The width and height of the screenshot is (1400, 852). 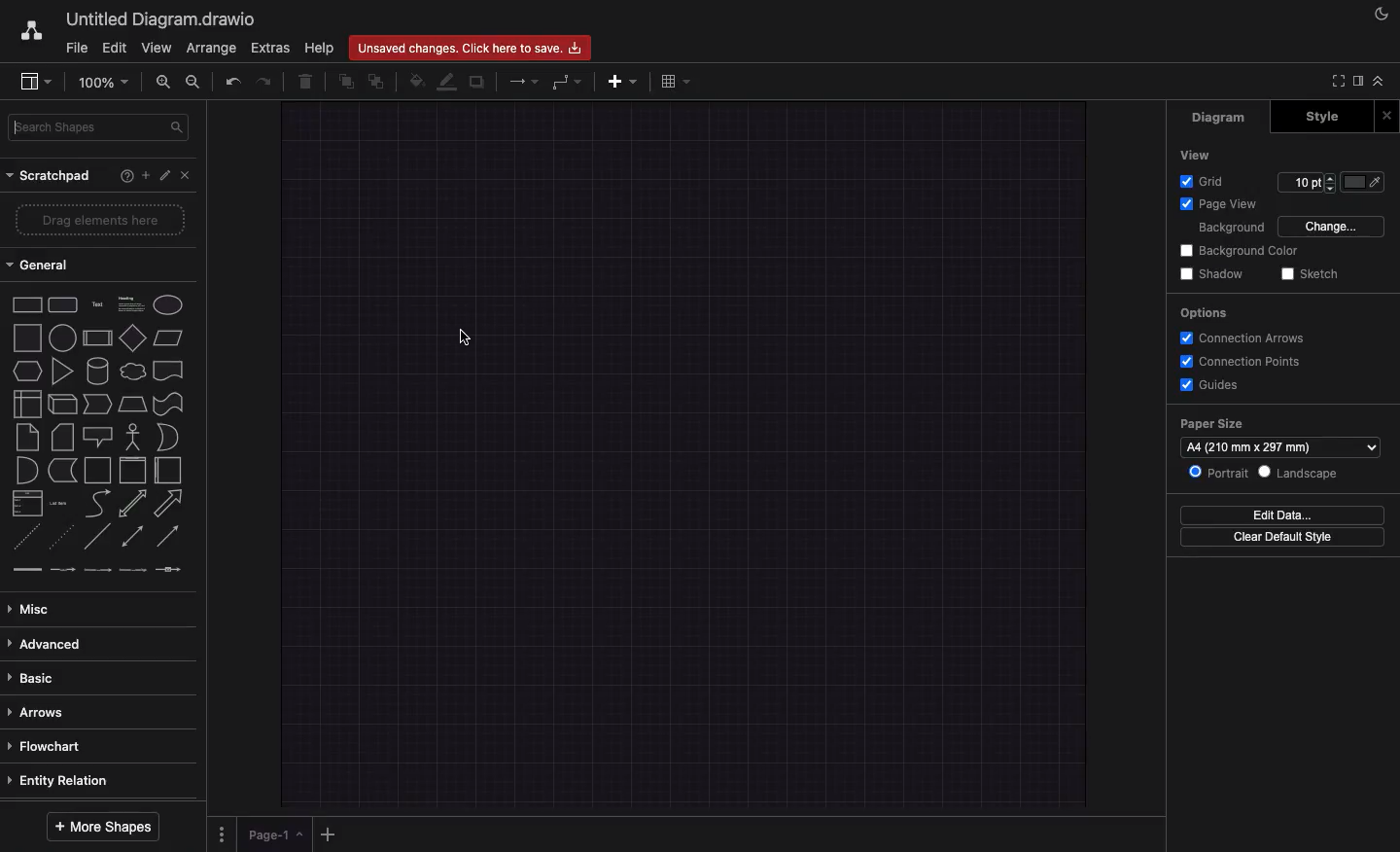 What do you see at coordinates (35, 83) in the screenshot?
I see `Sidebar` at bounding box center [35, 83].